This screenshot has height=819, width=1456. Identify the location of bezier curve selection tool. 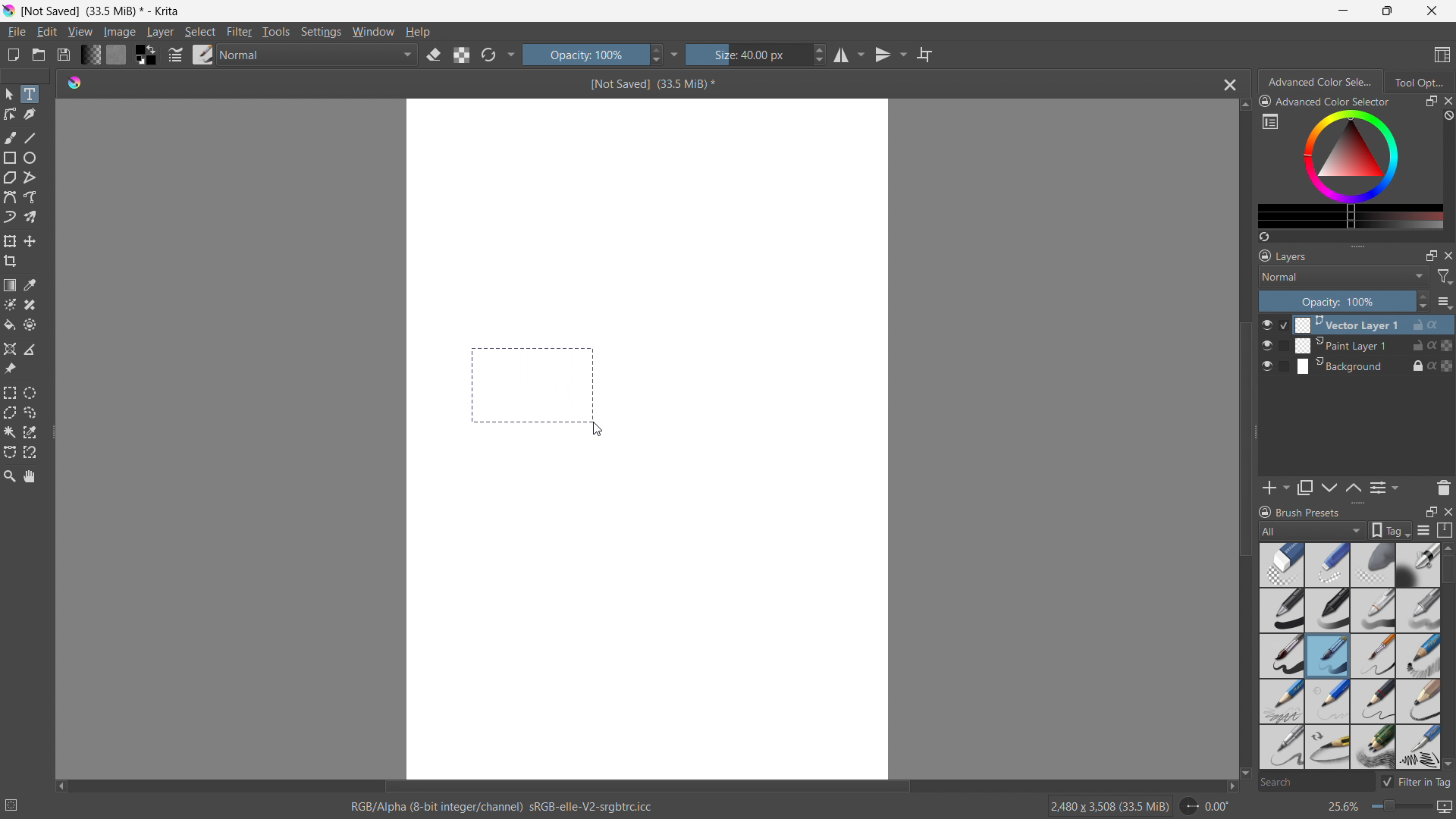
(10, 453).